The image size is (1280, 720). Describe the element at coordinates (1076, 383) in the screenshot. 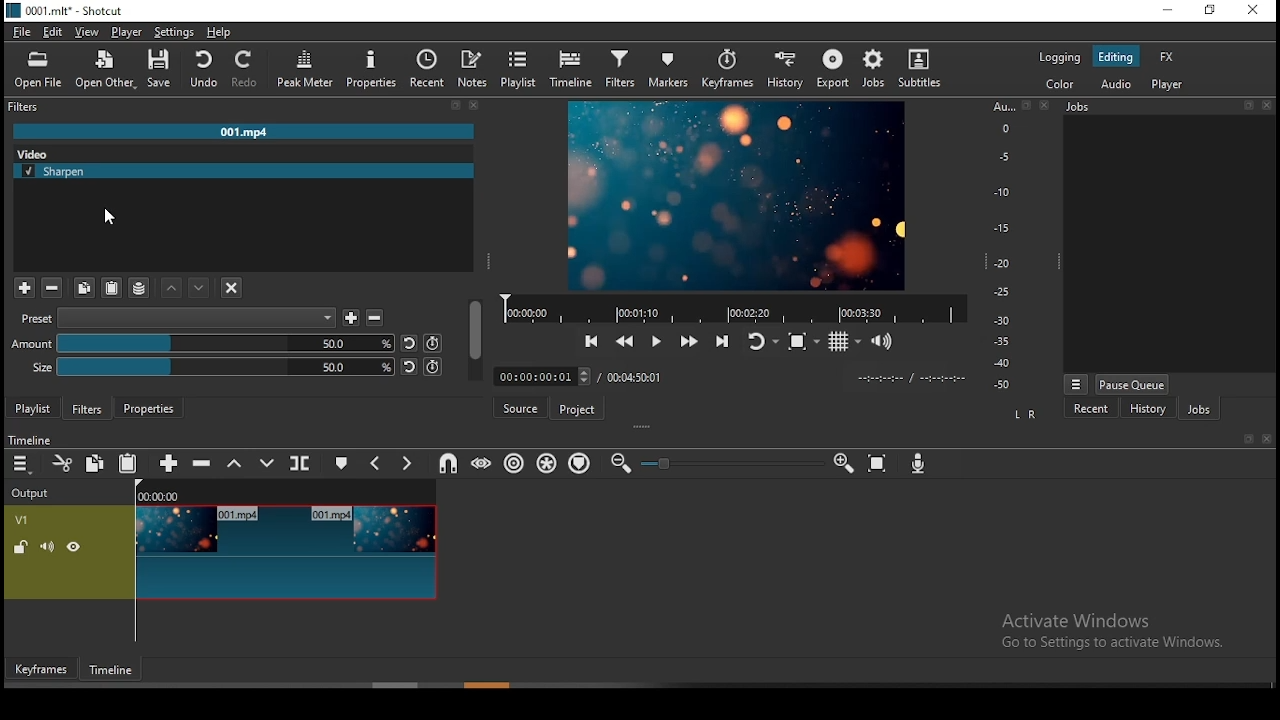

I see `view menu` at that location.